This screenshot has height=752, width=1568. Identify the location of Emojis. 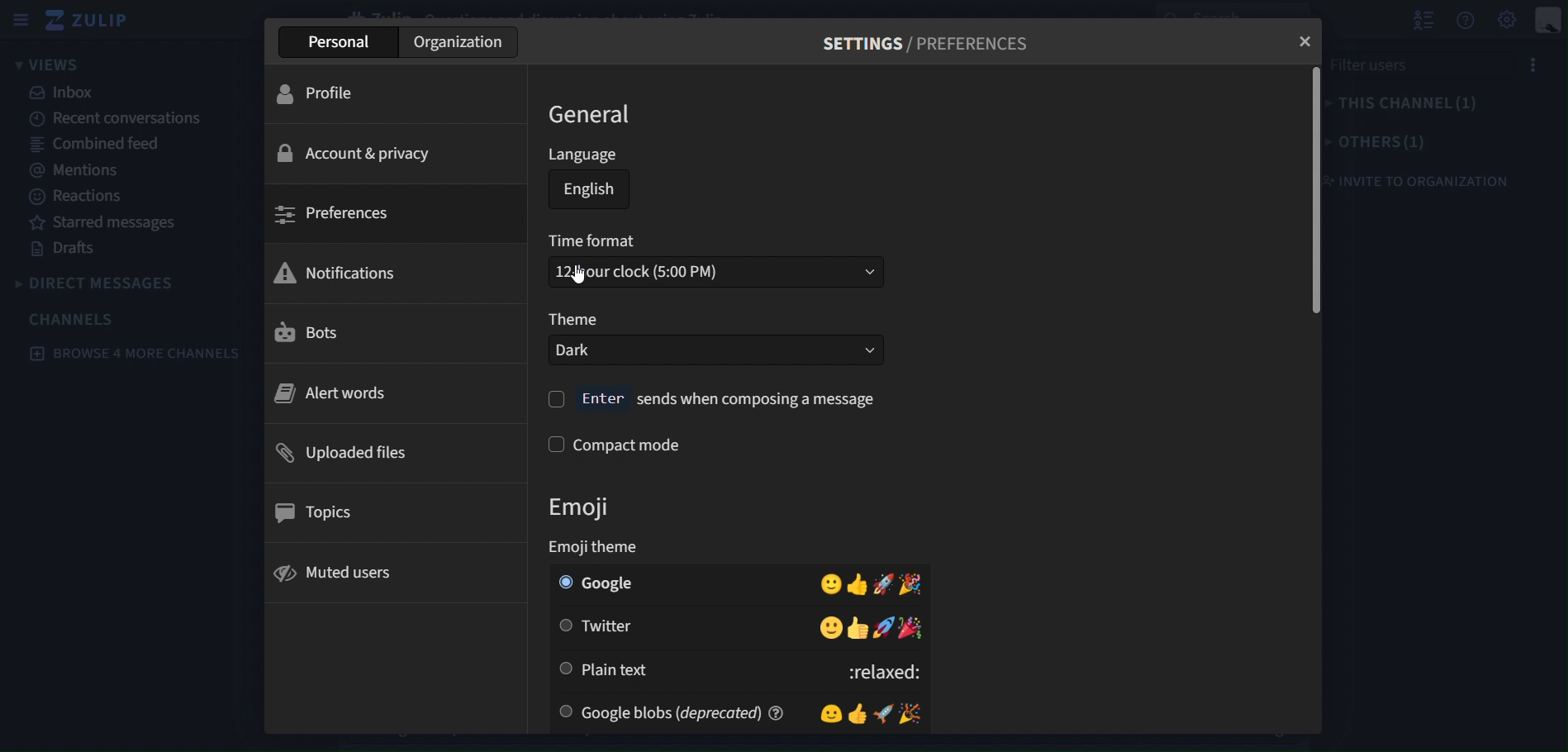
(839, 584).